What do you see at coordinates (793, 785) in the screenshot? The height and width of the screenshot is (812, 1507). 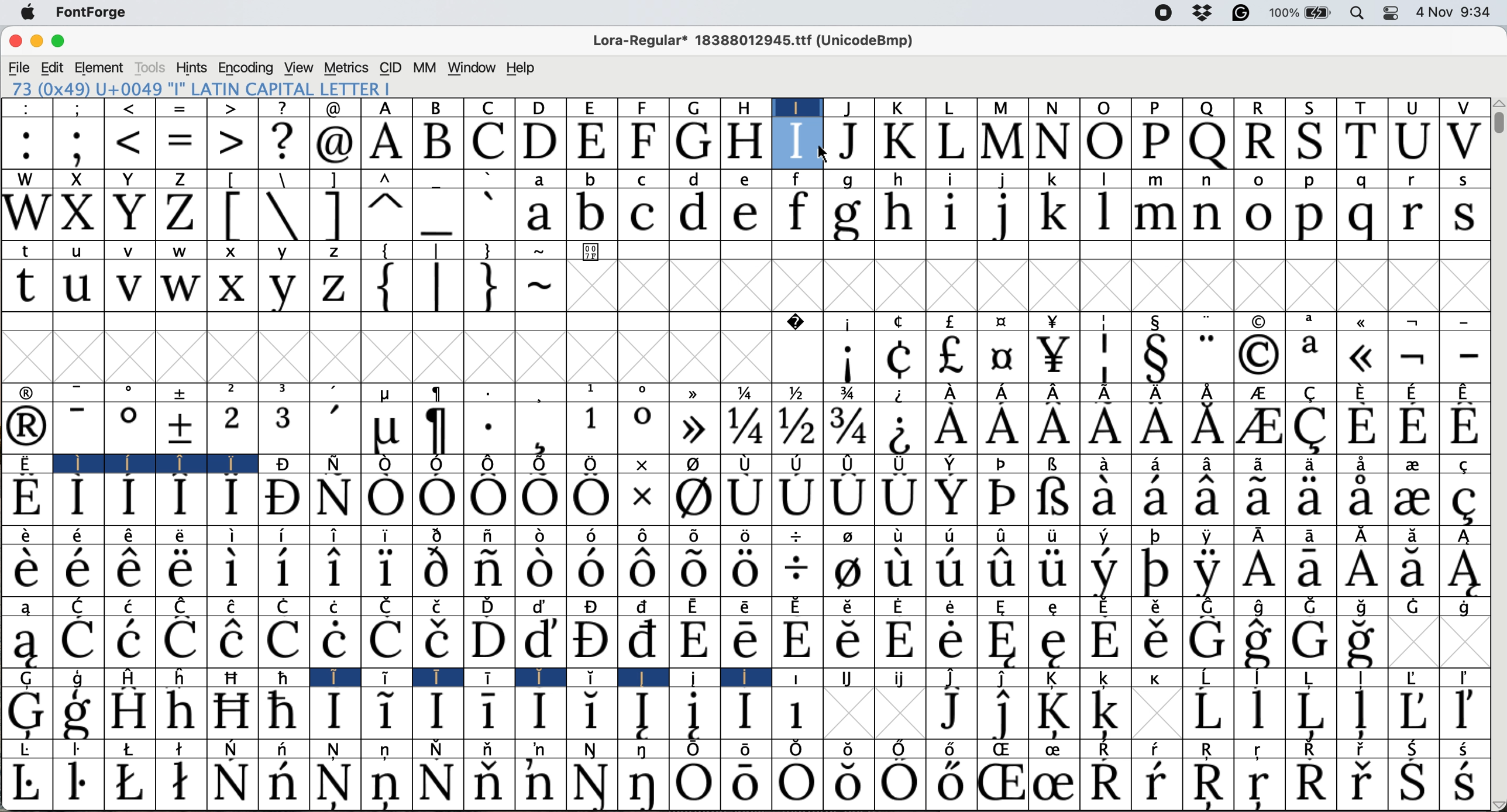 I see `Symbol` at bounding box center [793, 785].